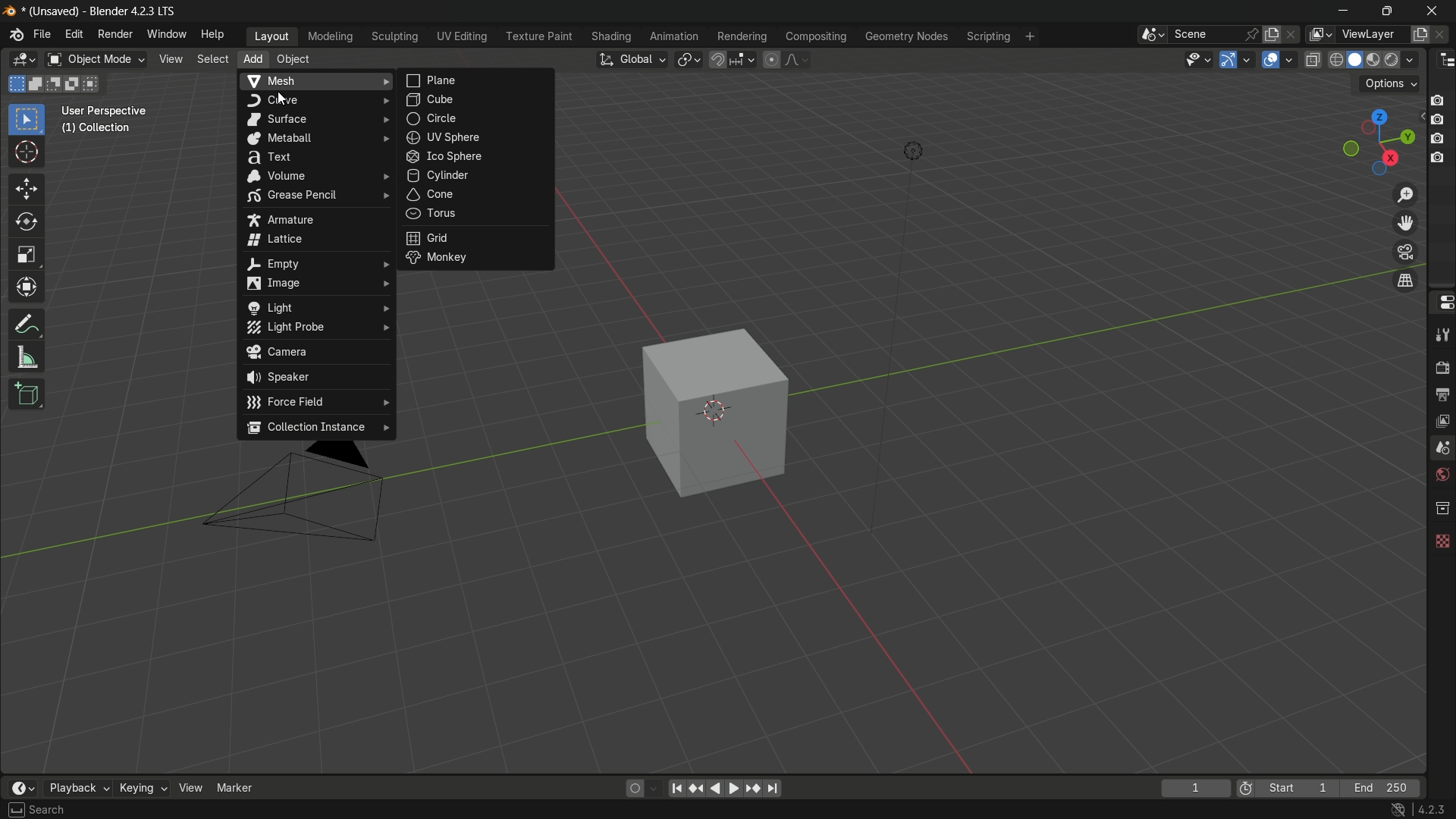 This screenshot has height=819, width=1456. What do you see at coordinates (316, 240) in the screenshot?
I see `lattice` at bounding box center [316, 240].